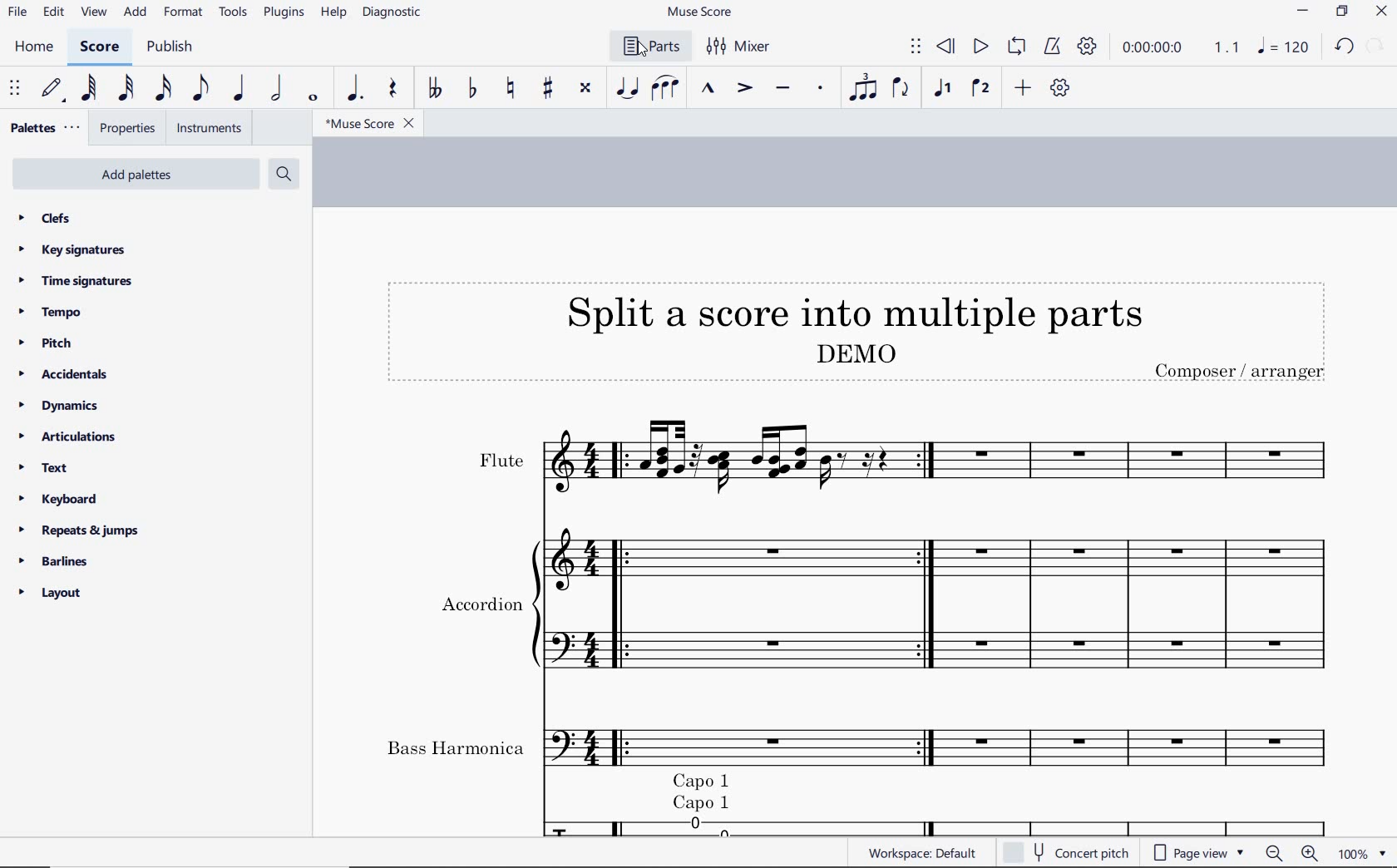  I want to click on 64th note, so click(88, 87).